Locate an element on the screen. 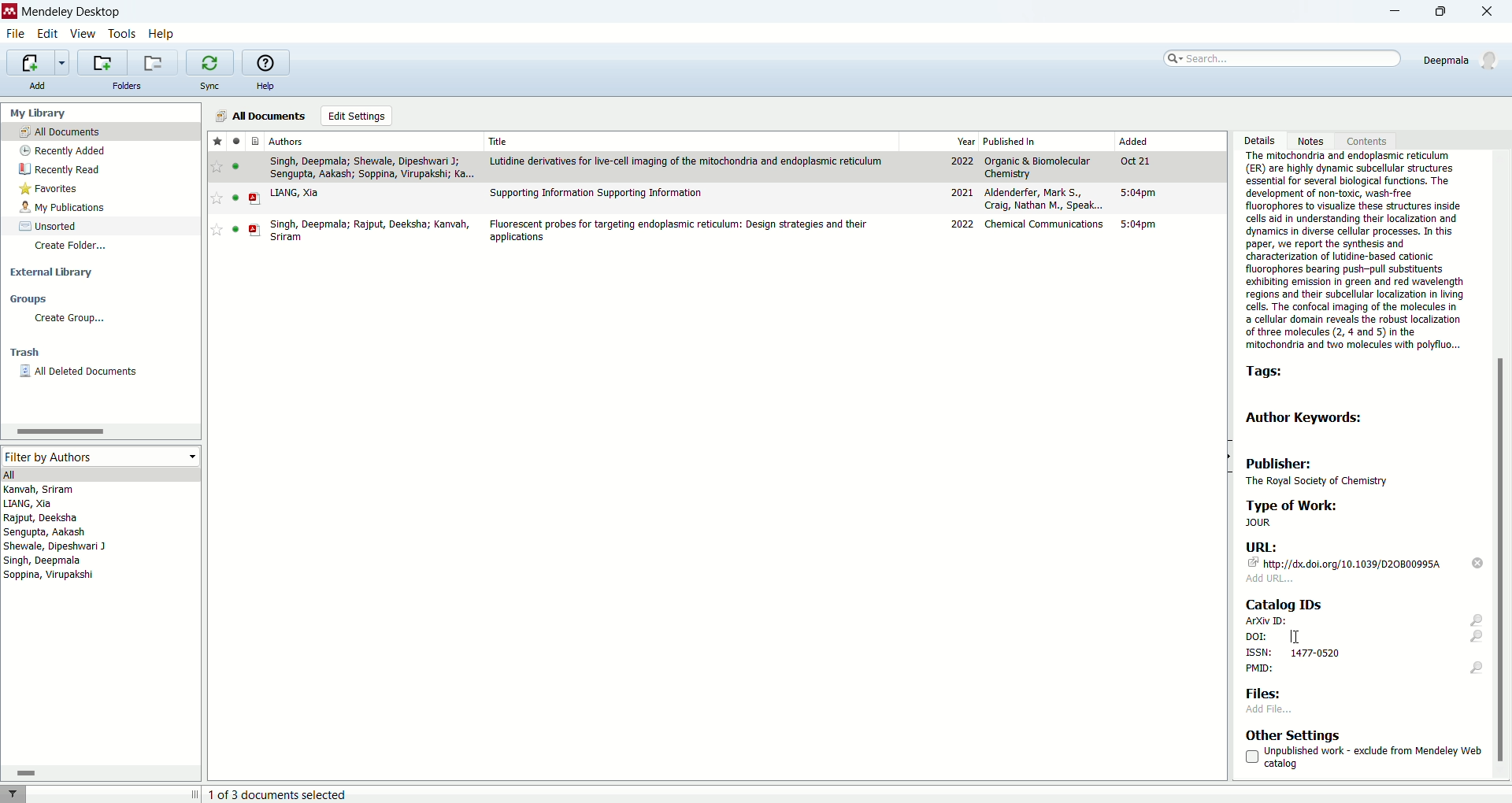  filter by authors is located at coordinates (98, 456).